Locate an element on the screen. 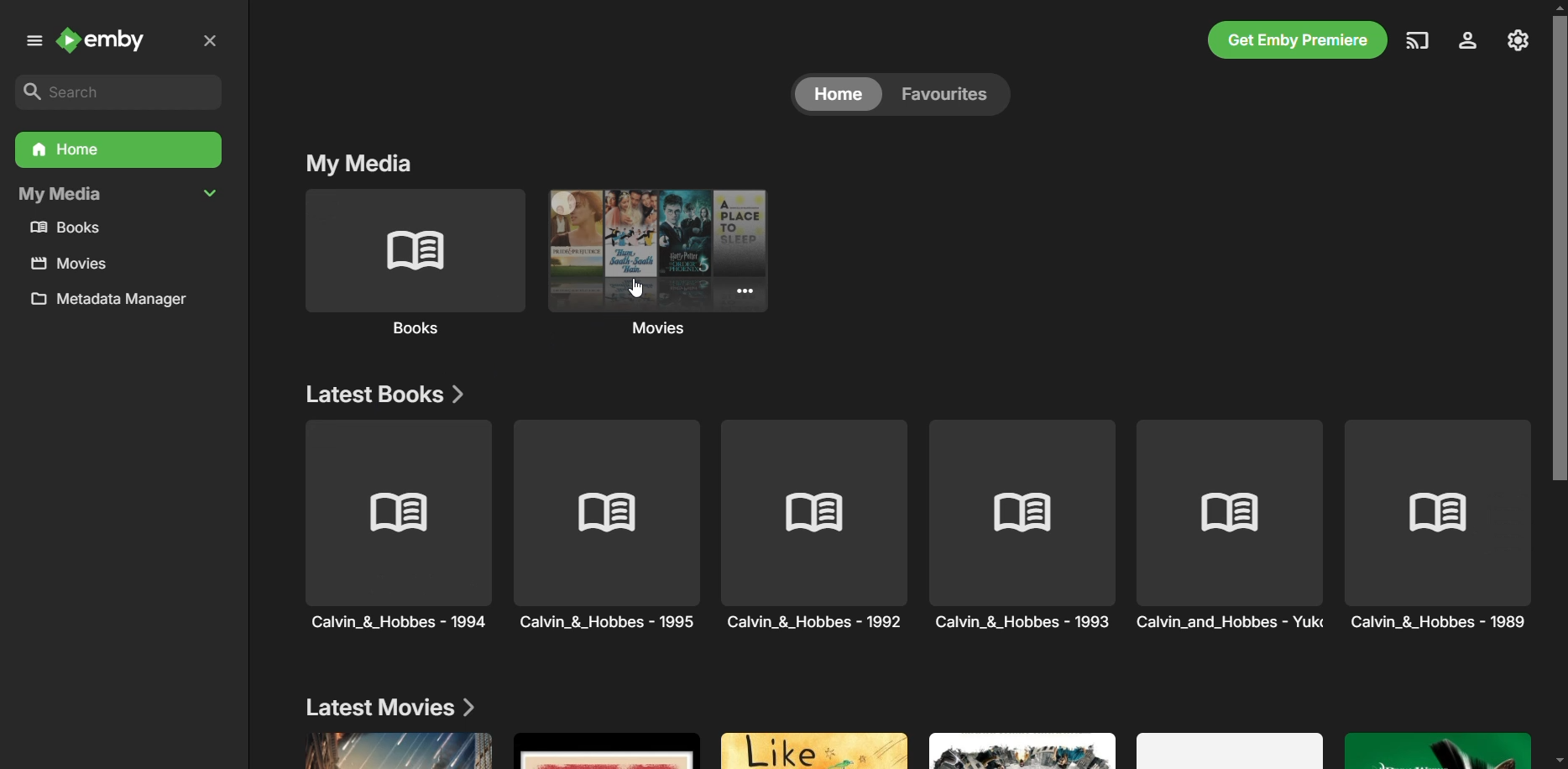  Manage Emby Server is located at coordinates (1520, 39).